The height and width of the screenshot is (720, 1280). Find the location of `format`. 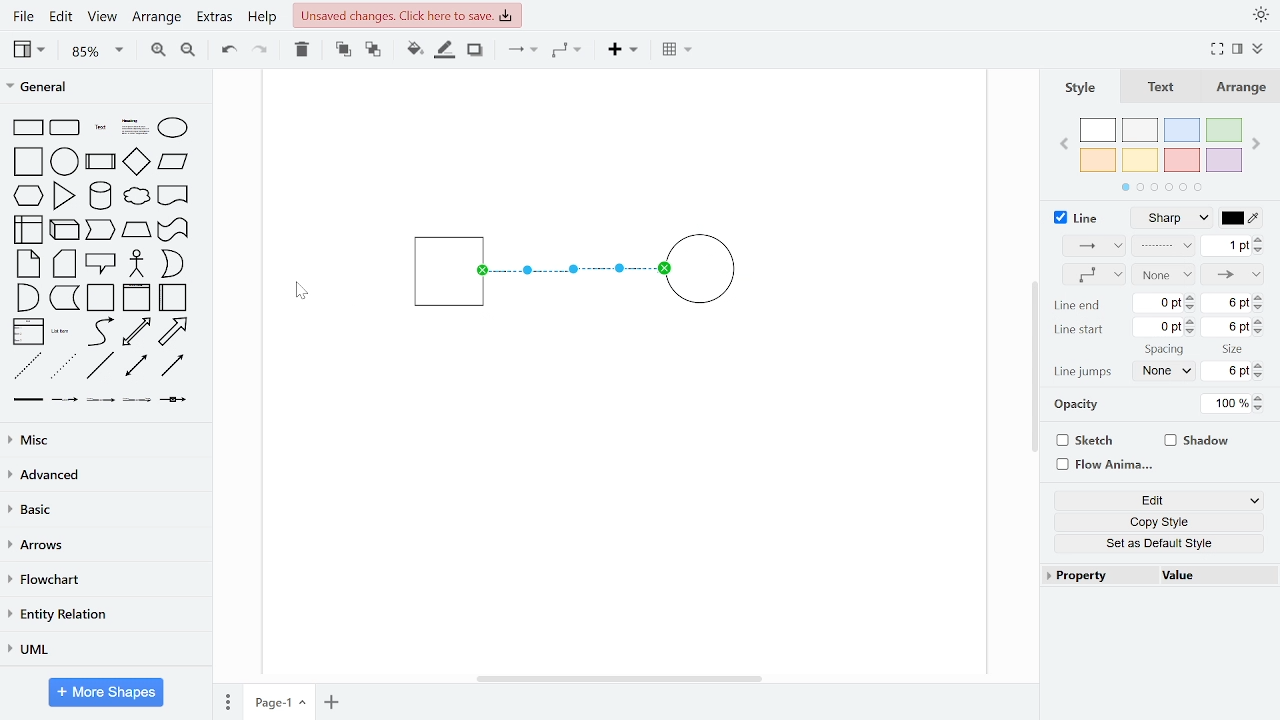

format is located at coordinates (1238, 49).